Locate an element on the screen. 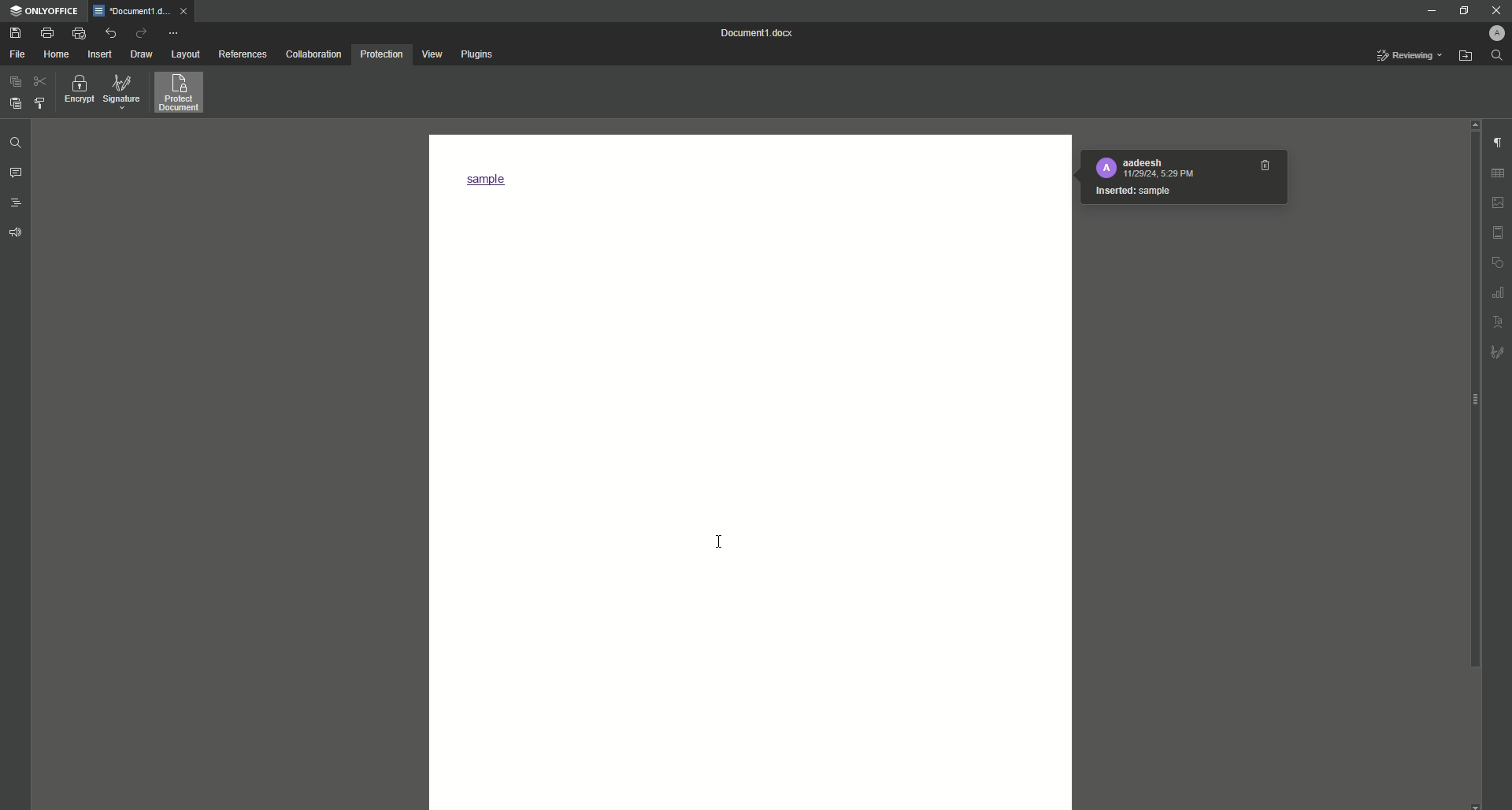  Inserted: sample is located at coordinates (1132, 191).